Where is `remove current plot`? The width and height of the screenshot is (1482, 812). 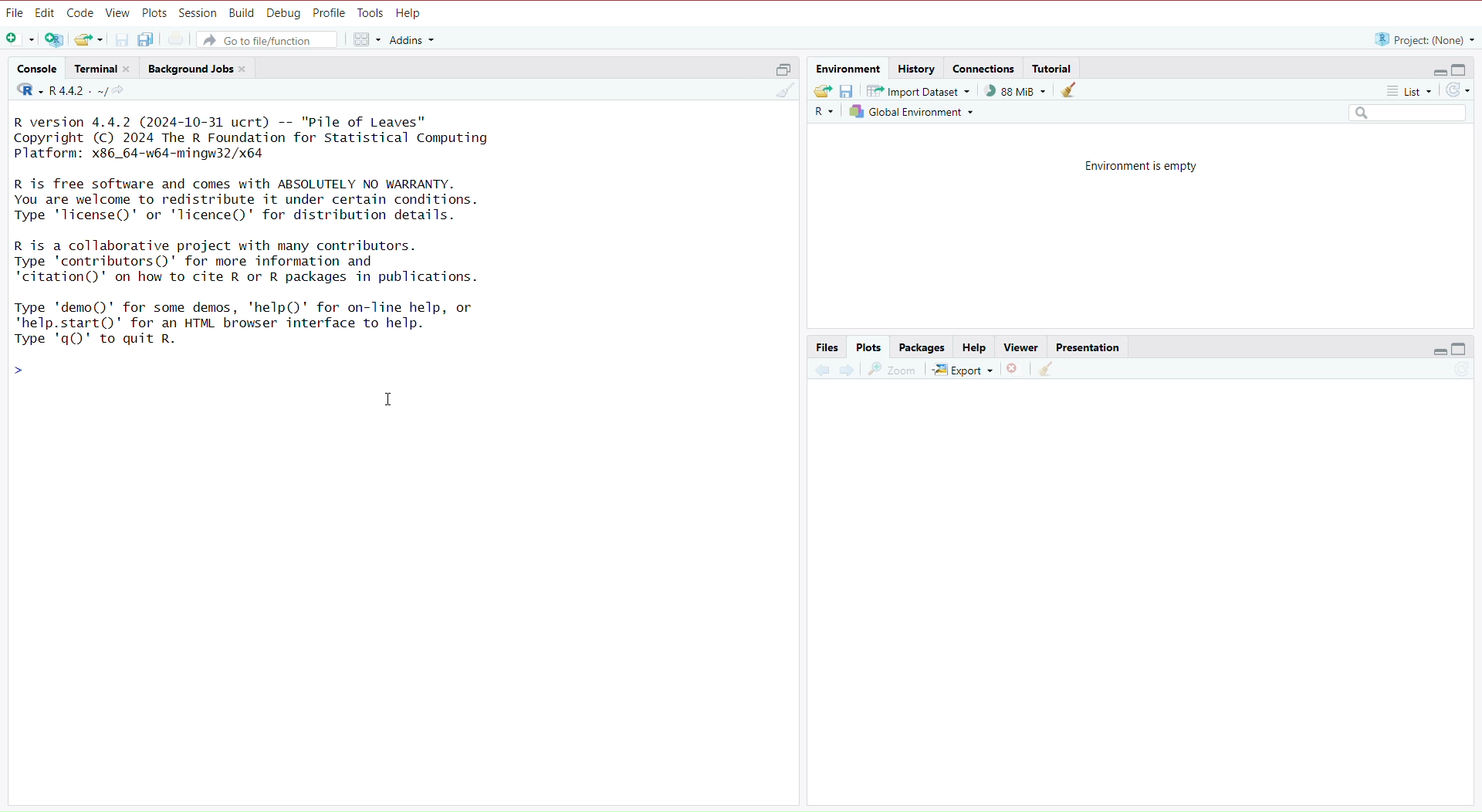 remove current plot is located at coordinates (1013, 371).